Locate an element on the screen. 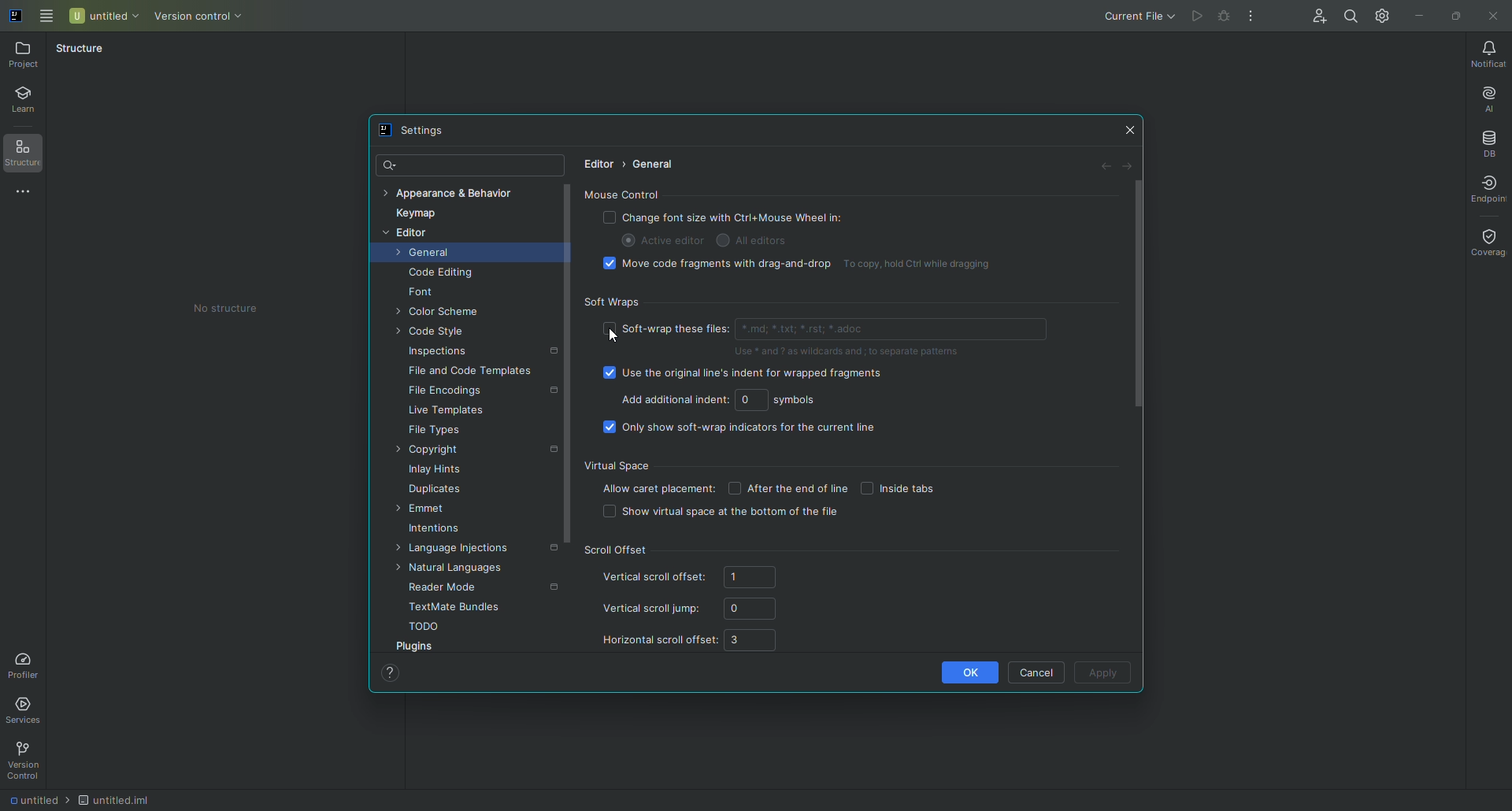  Untitled is located at coordinates (103, 16).